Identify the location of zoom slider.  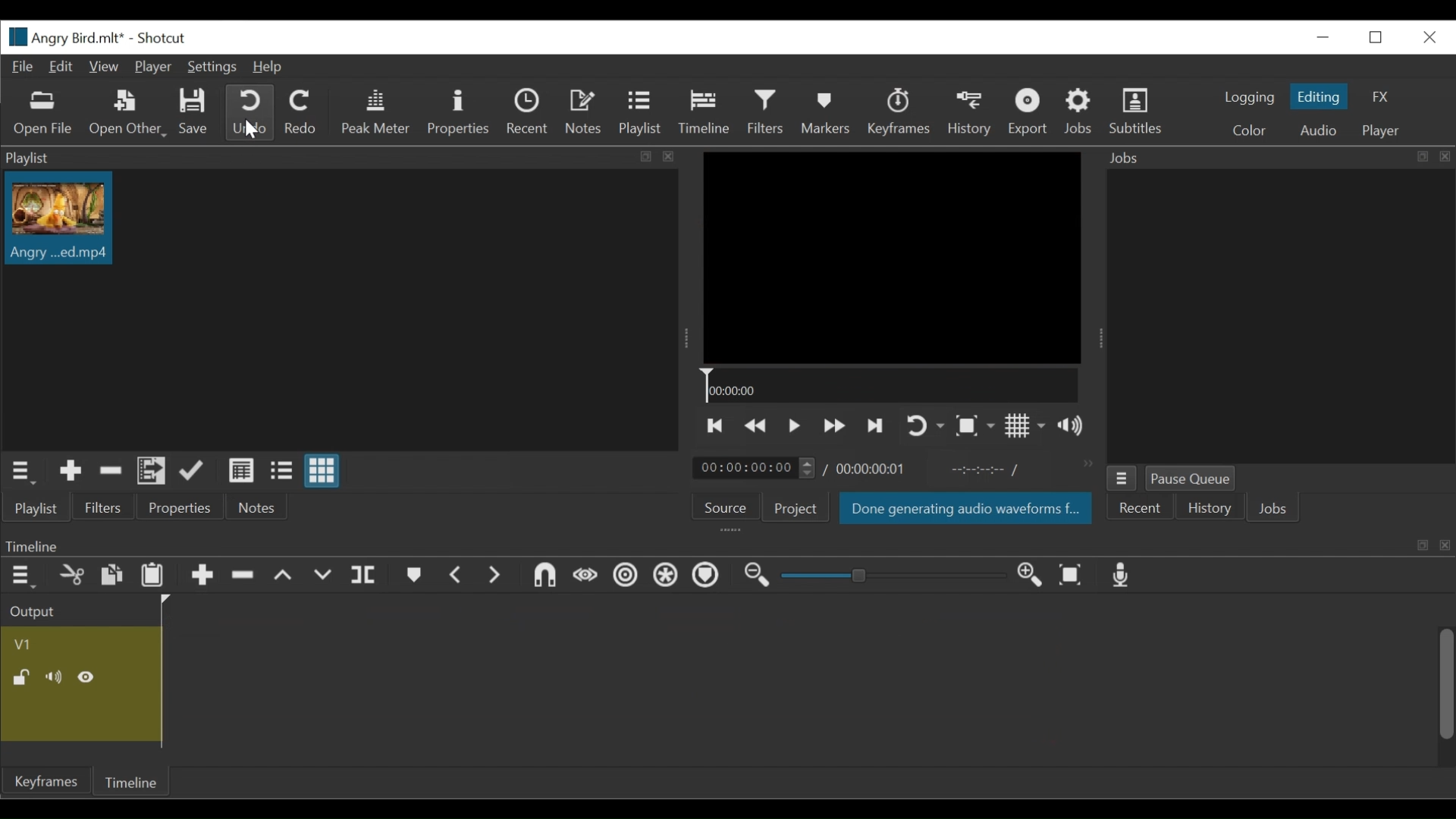
(890, 577).